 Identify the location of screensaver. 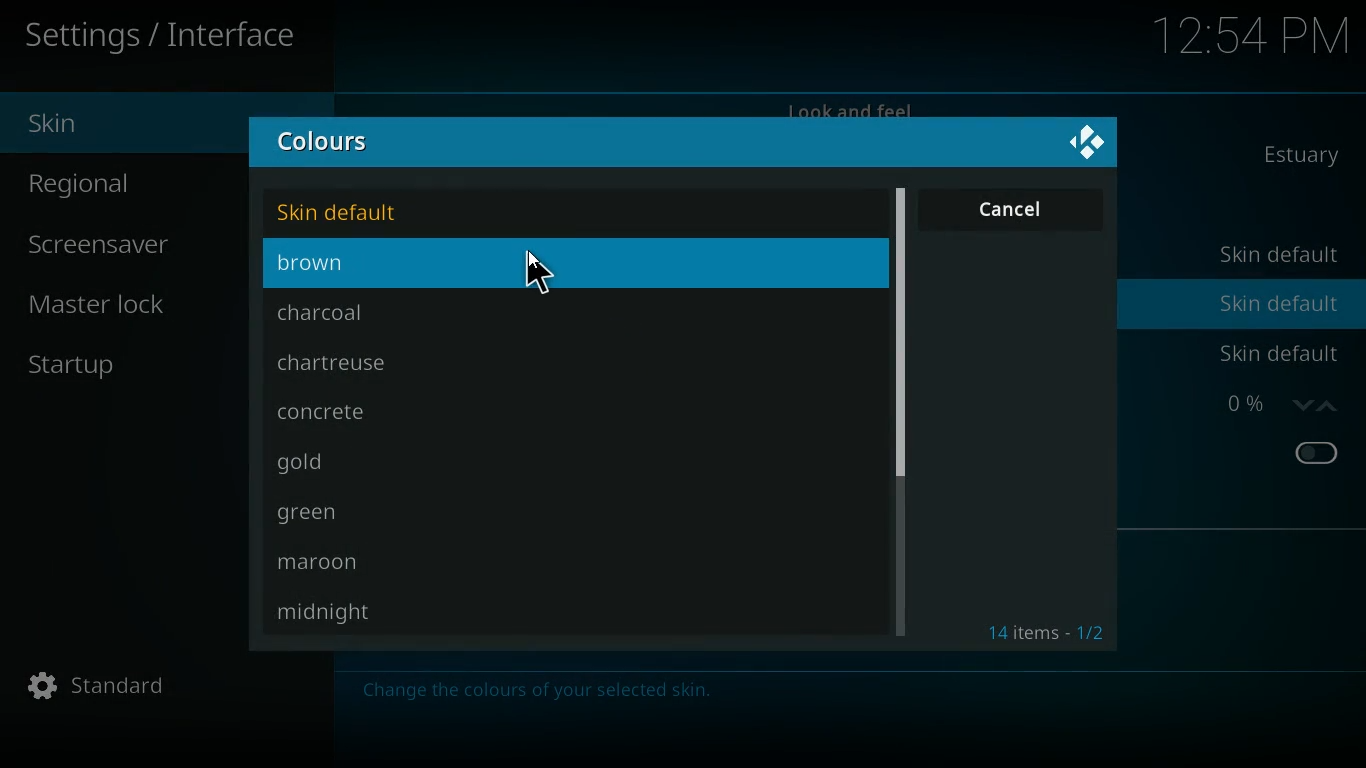
(126, 242).